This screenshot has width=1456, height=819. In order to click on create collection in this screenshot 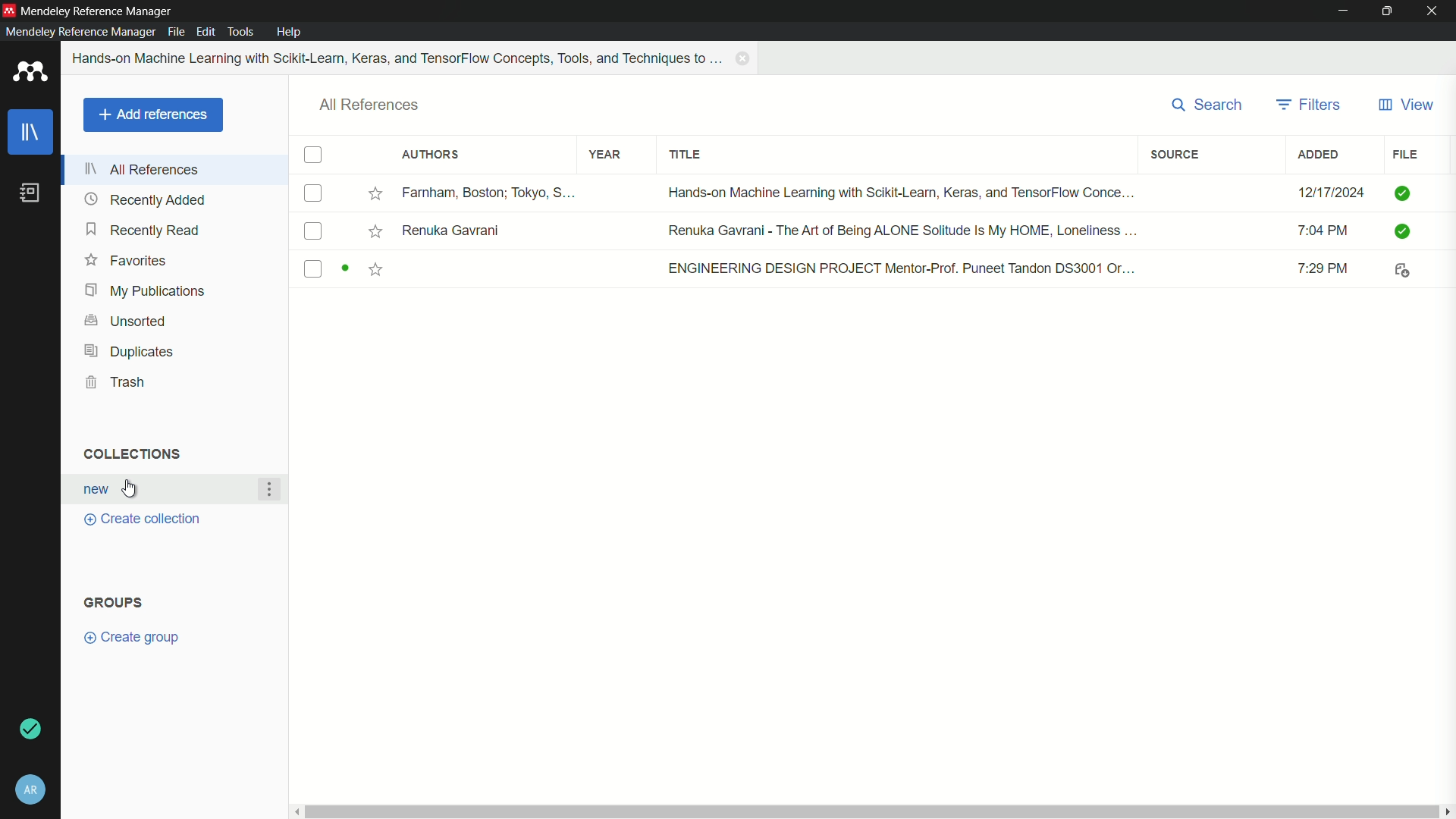, I will do `click(139, 519)`.